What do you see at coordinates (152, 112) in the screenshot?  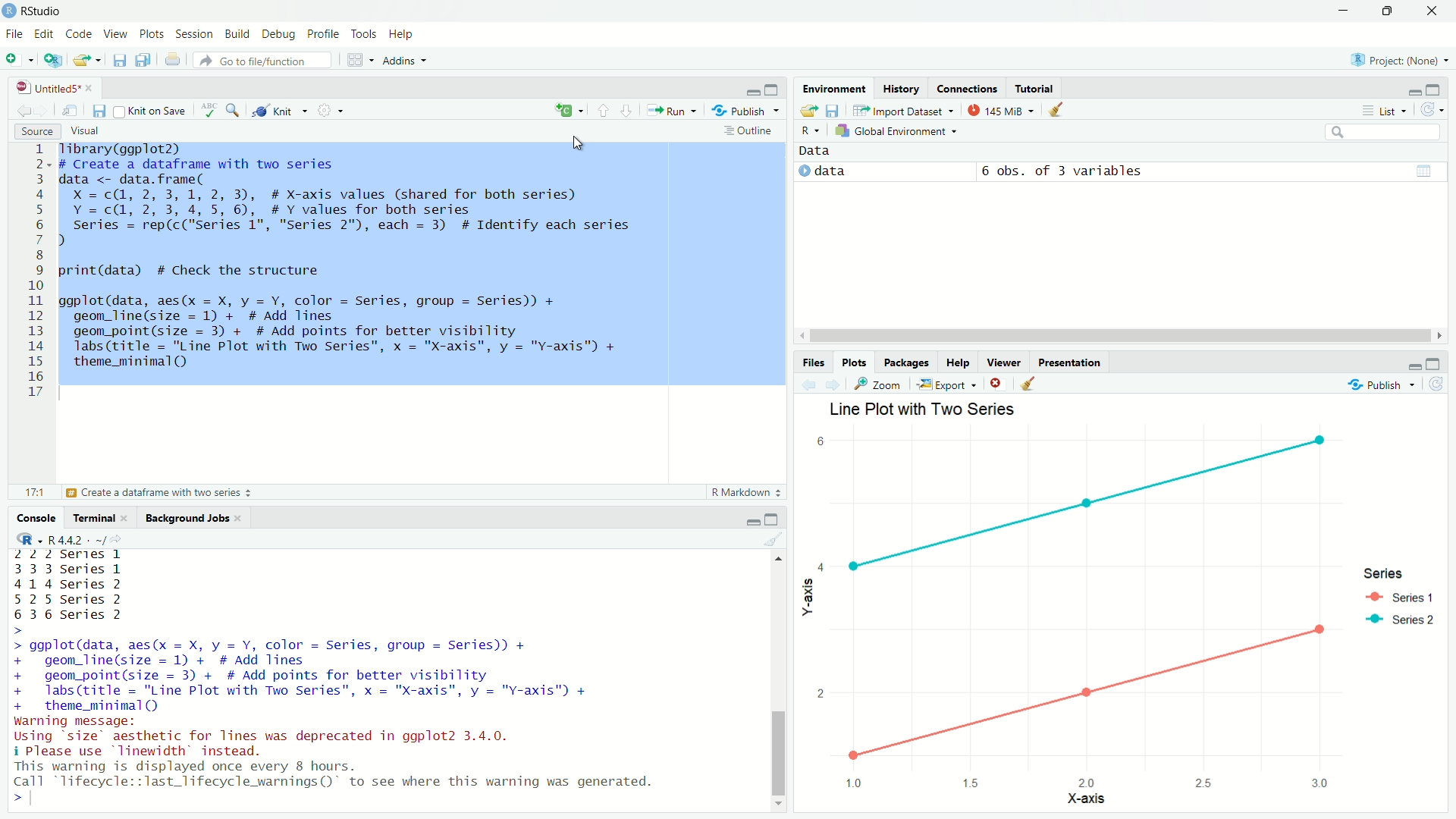 I see `Knit on save` at bounding box center [152, 112].